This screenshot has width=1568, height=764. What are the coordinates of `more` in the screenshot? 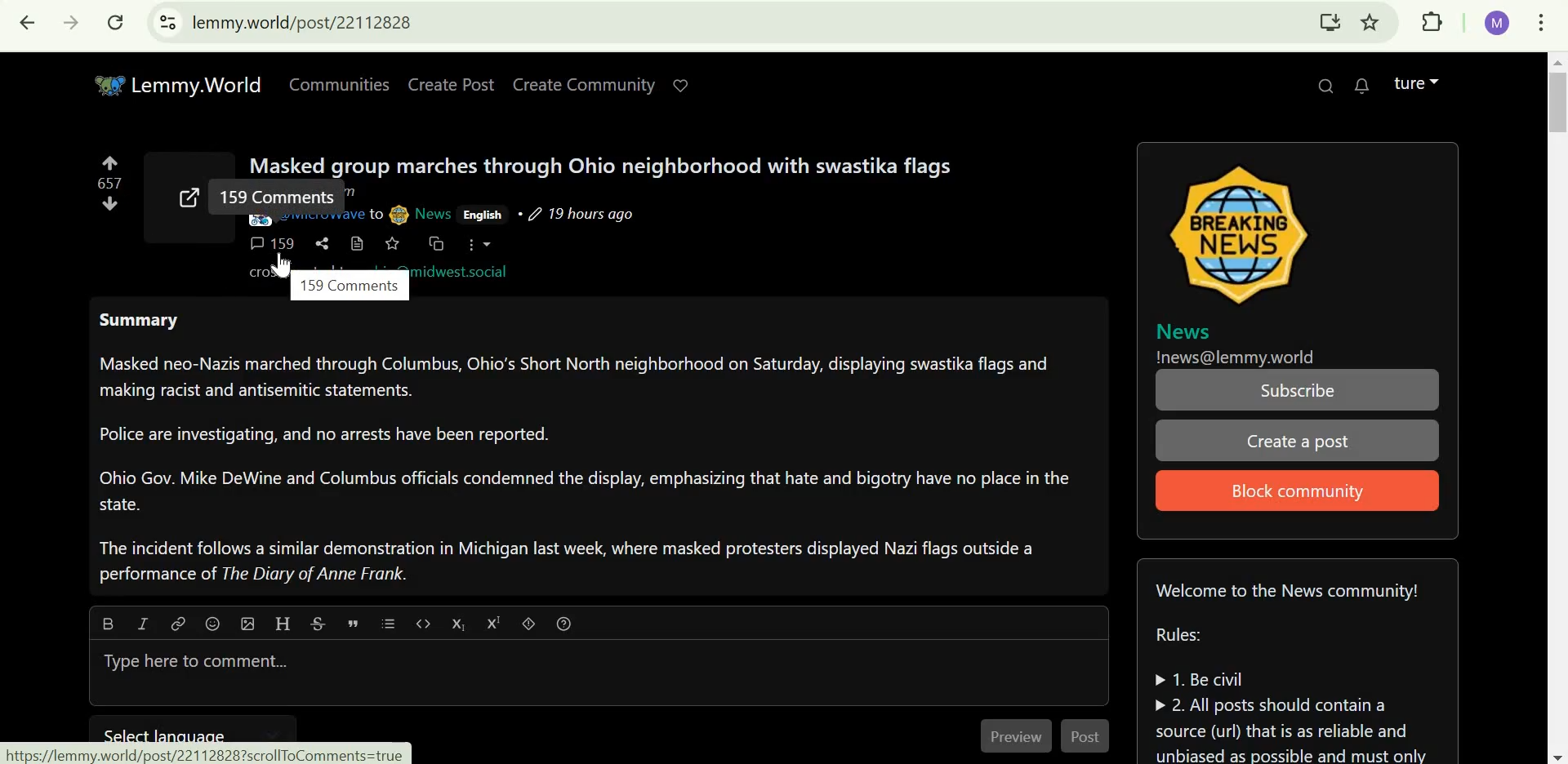 It's located at (479, 244).